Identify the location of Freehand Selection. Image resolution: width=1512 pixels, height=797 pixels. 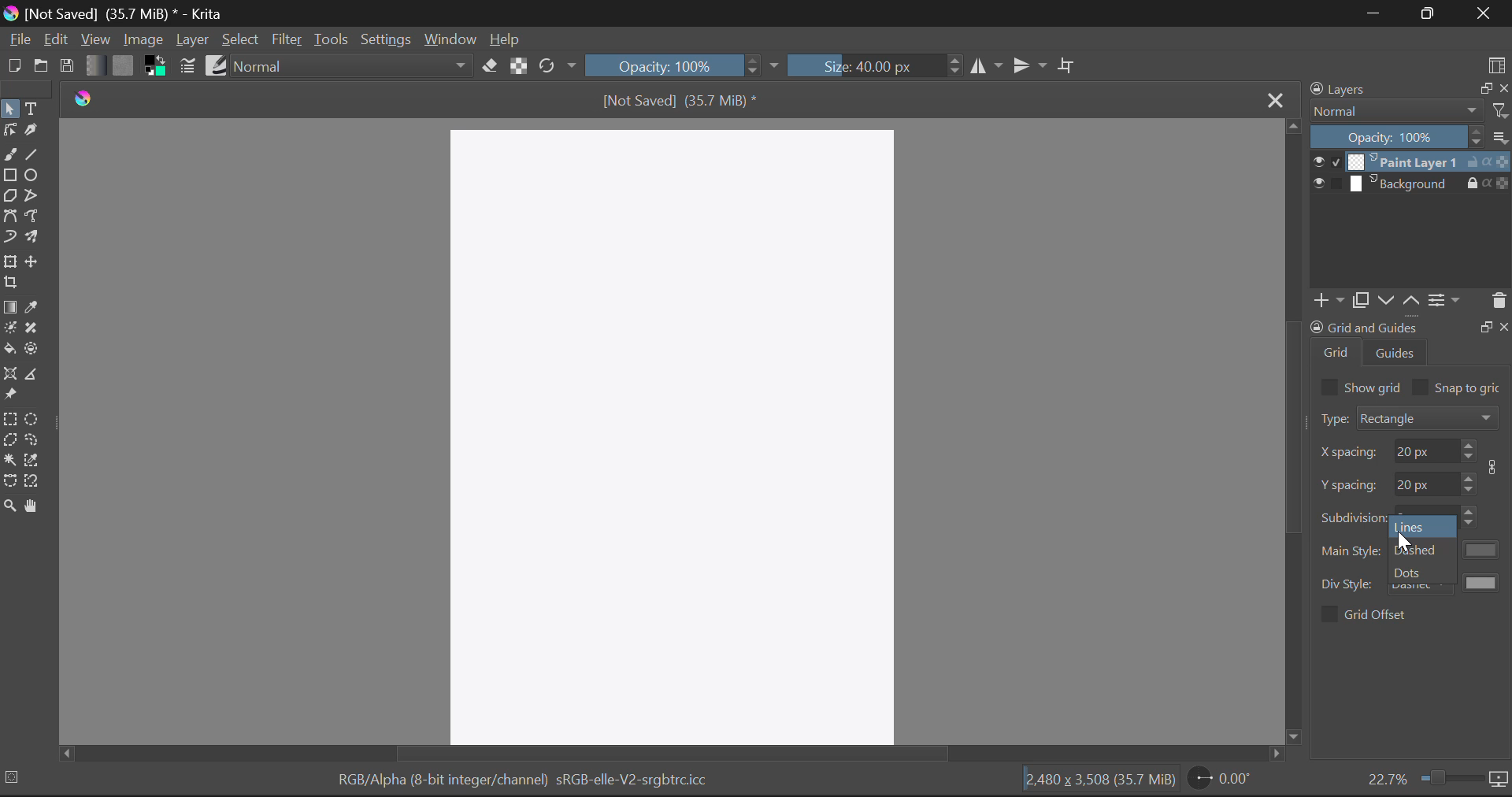
(34, 441).